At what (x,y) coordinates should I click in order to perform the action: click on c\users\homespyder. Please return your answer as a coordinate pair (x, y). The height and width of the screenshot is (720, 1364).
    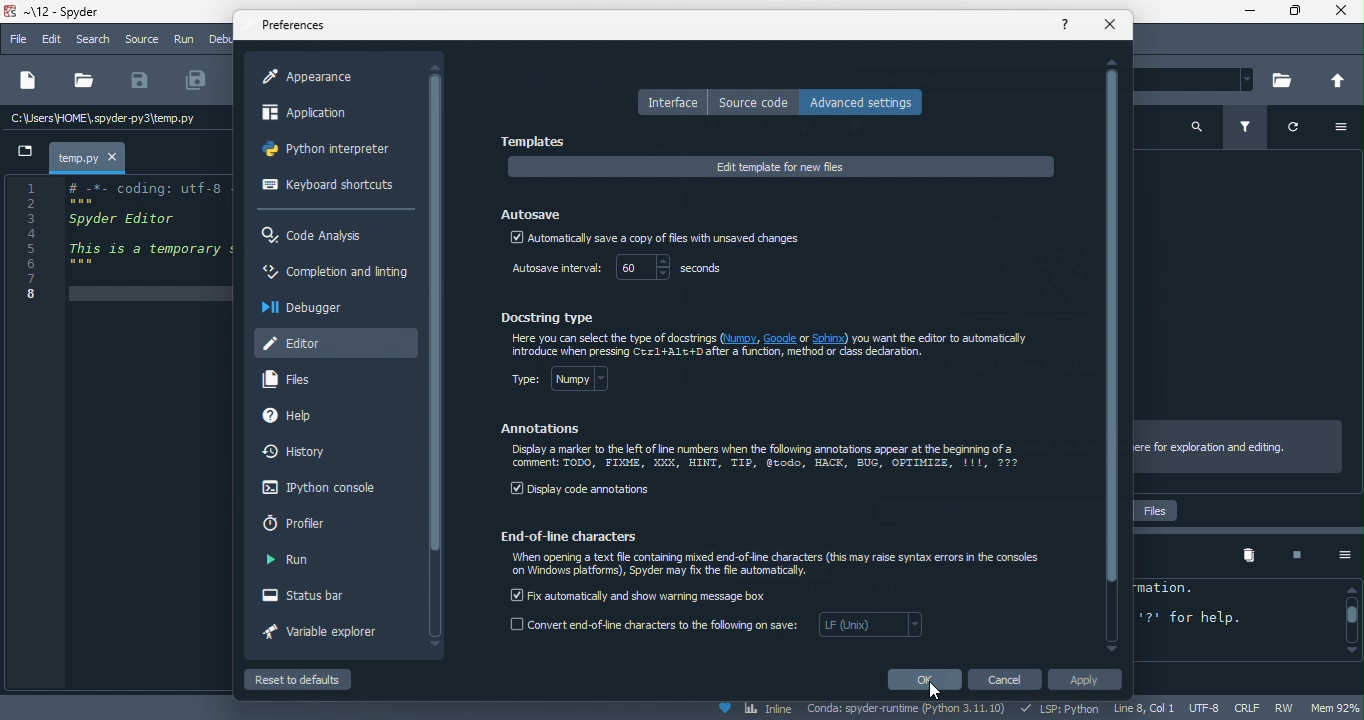
    Looking at the image, I should click on (104, 120).